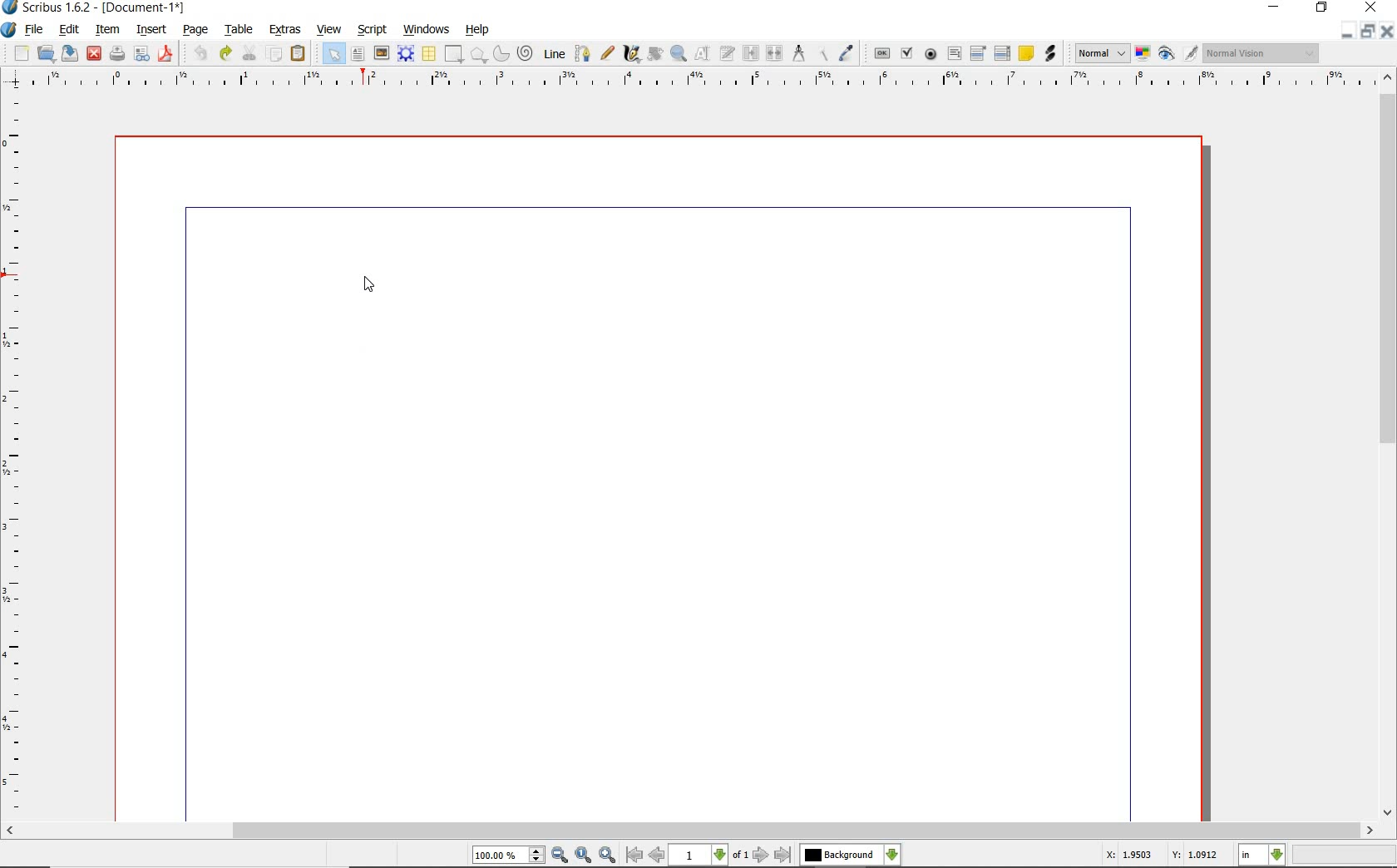 The image size is (1397, 868). What do you see at coordinates (452, 55) in the screenshot?
I see `shape` at bounding box center [452, 55].